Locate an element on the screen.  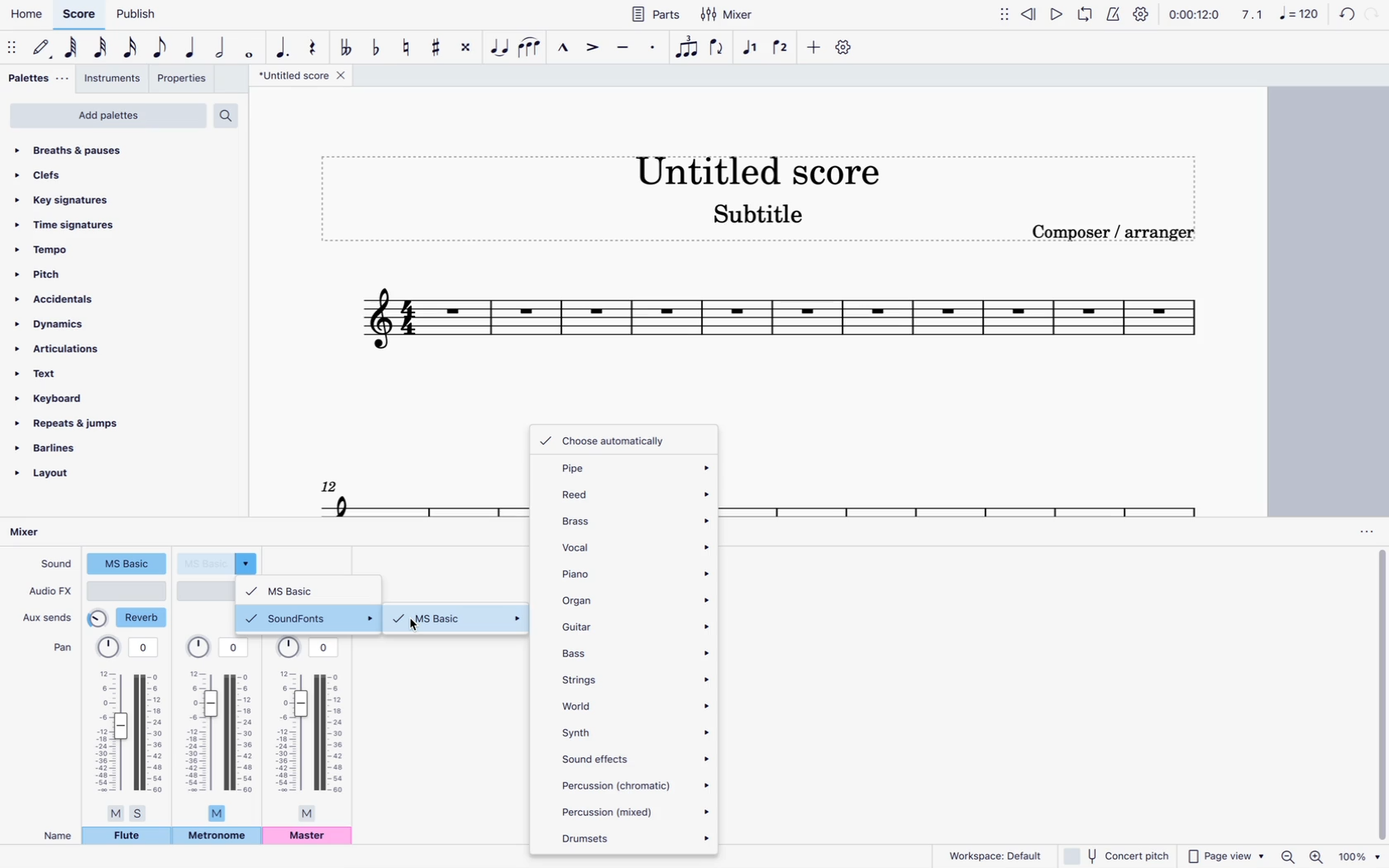
64th note is located at coordinates (71, 50).